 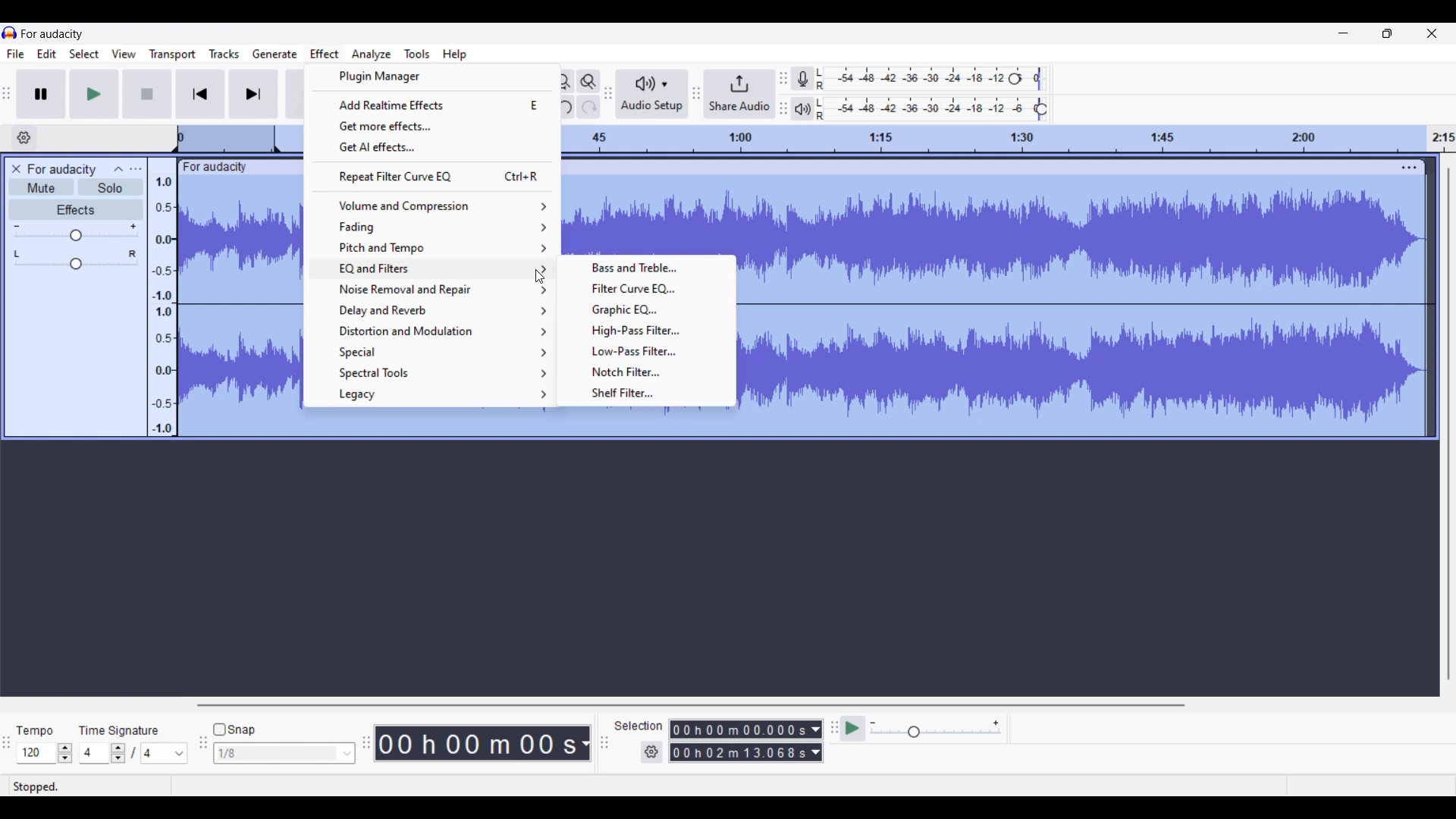 I want to click on Repeat filter curve EQ, so click(x=433, y=177).